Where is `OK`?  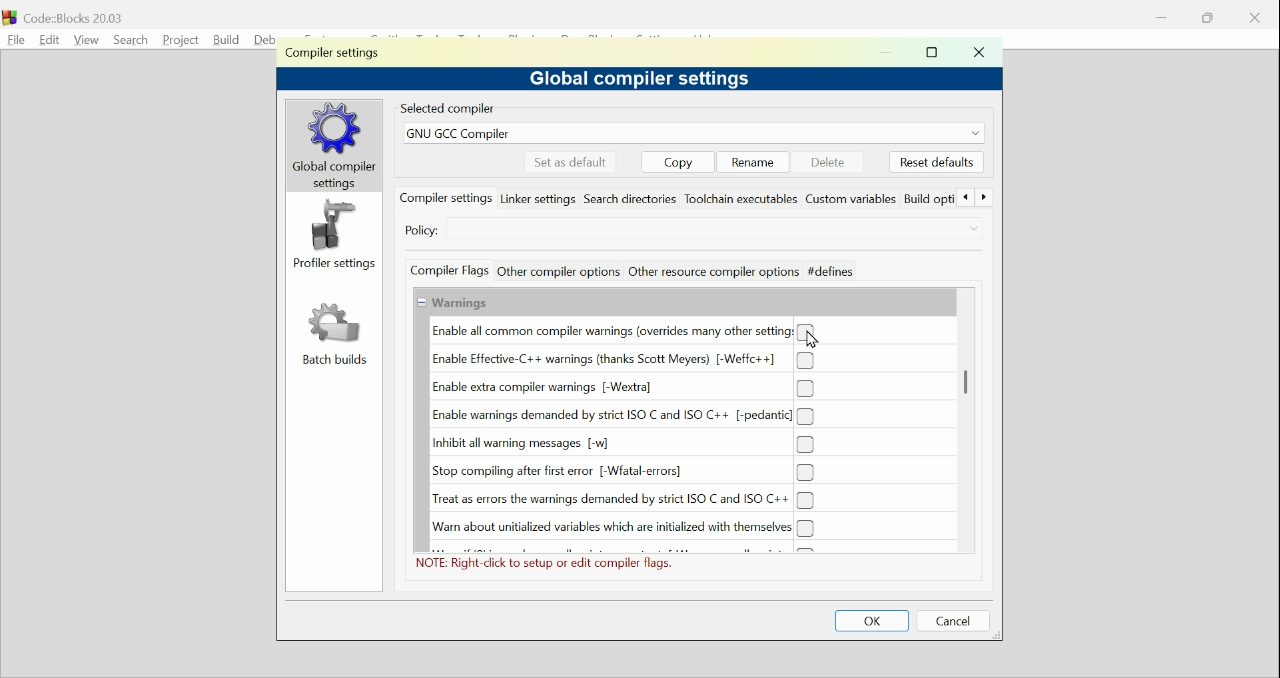
OK is located at coordinates (874, 621).